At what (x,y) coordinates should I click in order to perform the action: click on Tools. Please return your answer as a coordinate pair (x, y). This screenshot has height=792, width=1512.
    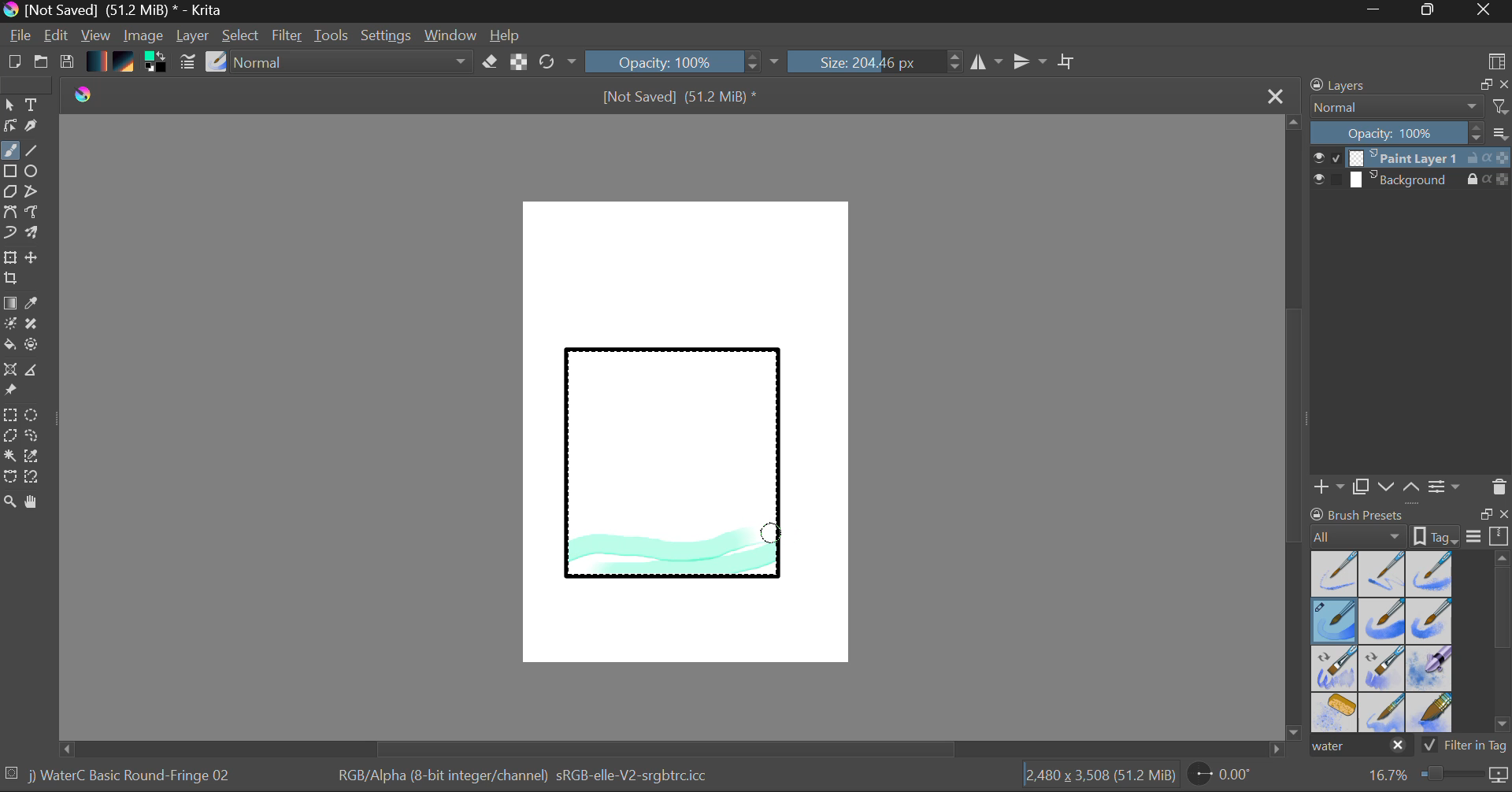
    Looking at the image, I should click on (332, 36).